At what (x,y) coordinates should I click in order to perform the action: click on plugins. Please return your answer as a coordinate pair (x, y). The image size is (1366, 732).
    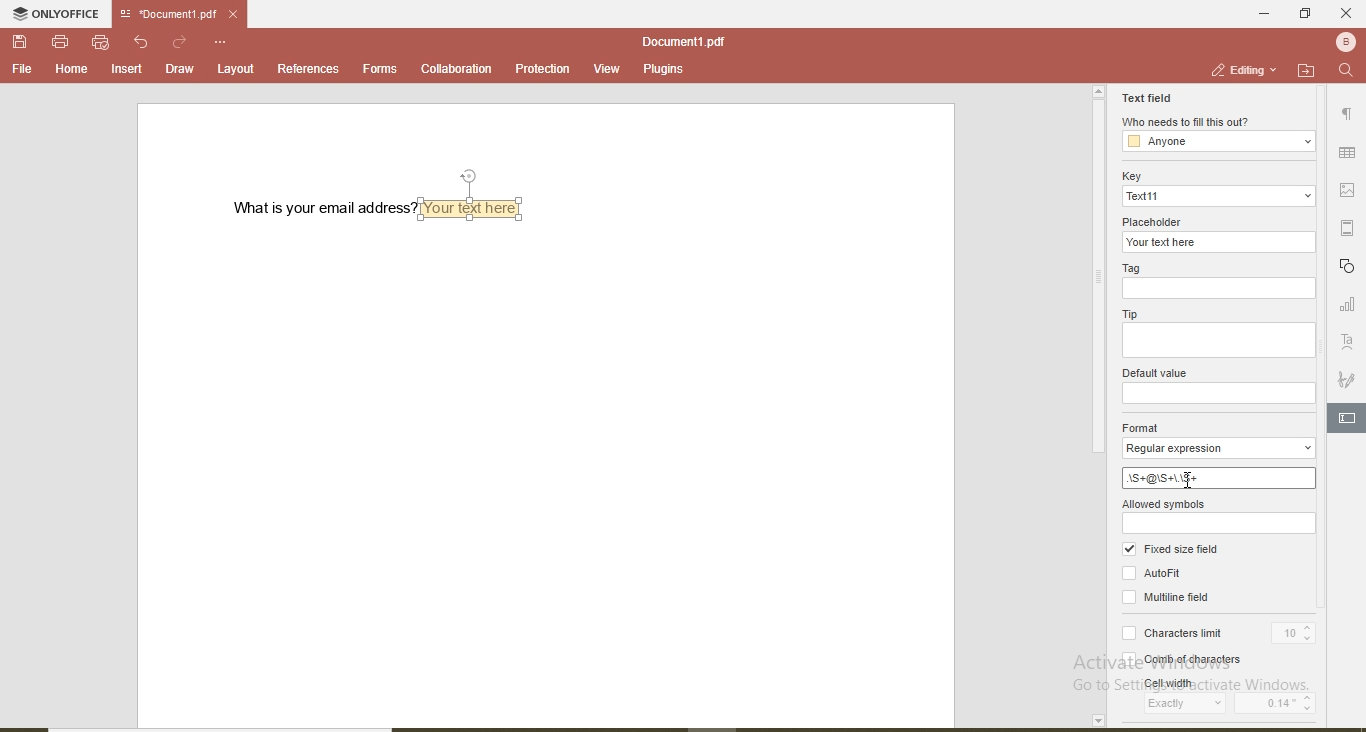
    Looking at the image, I should click on (662, 71).